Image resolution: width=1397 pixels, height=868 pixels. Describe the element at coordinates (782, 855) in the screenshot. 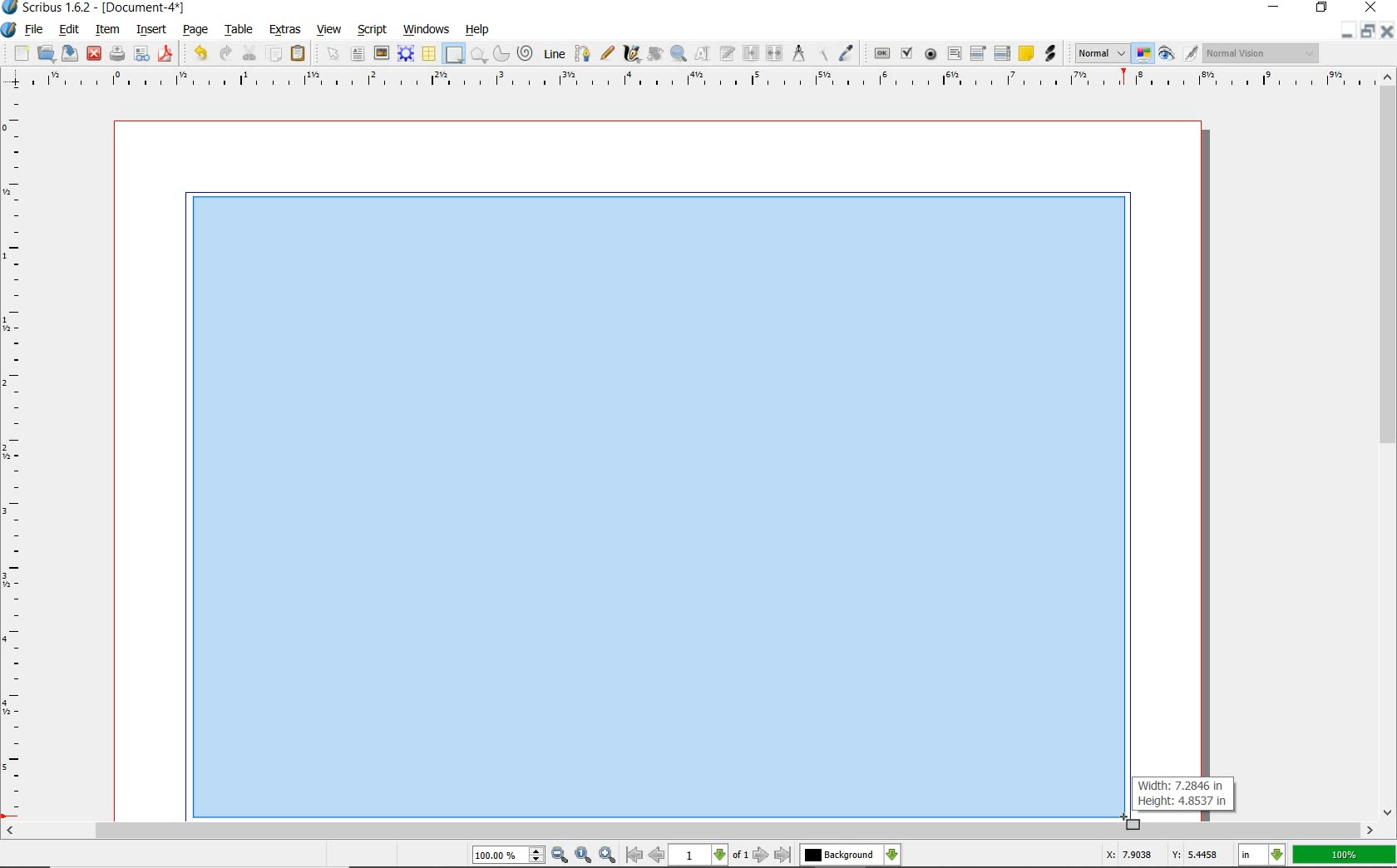

I see `go to last page` at that location.